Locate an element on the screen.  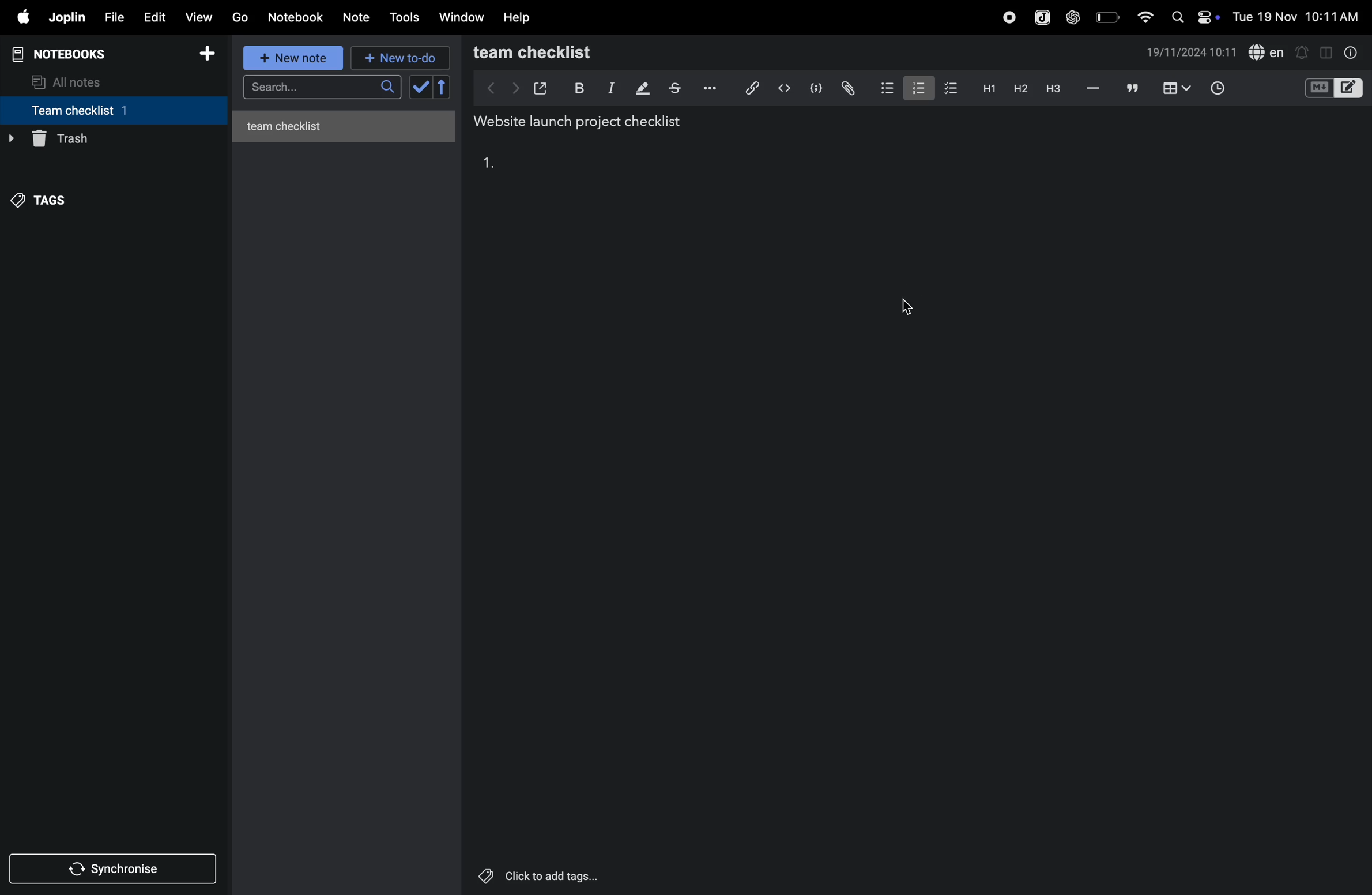
M+ is located at coordinates (1318, 88).